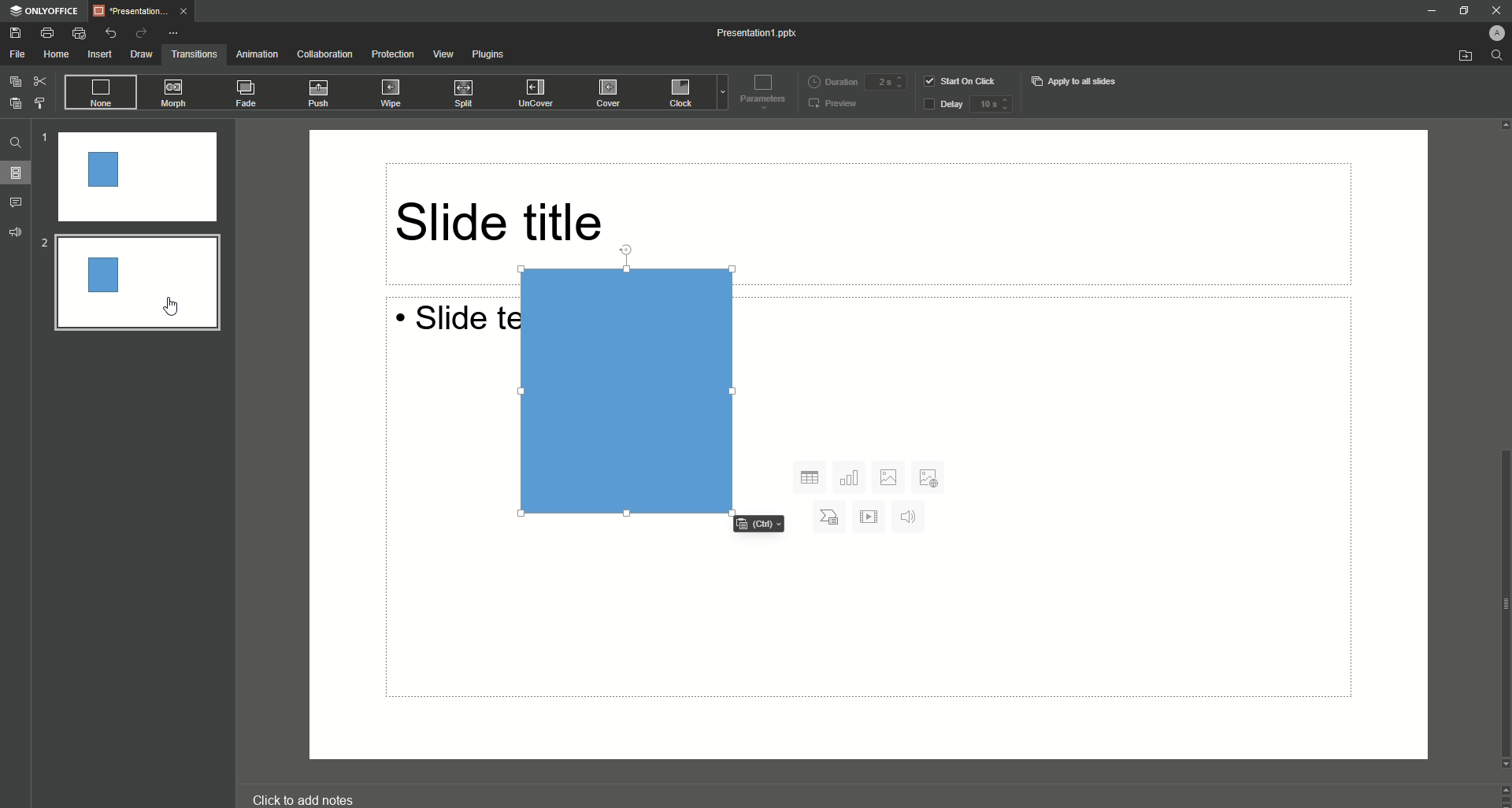 Image resolution: width=1512 pixels, height=808 pixels. I want to click on Wipe, so click(387, 93).